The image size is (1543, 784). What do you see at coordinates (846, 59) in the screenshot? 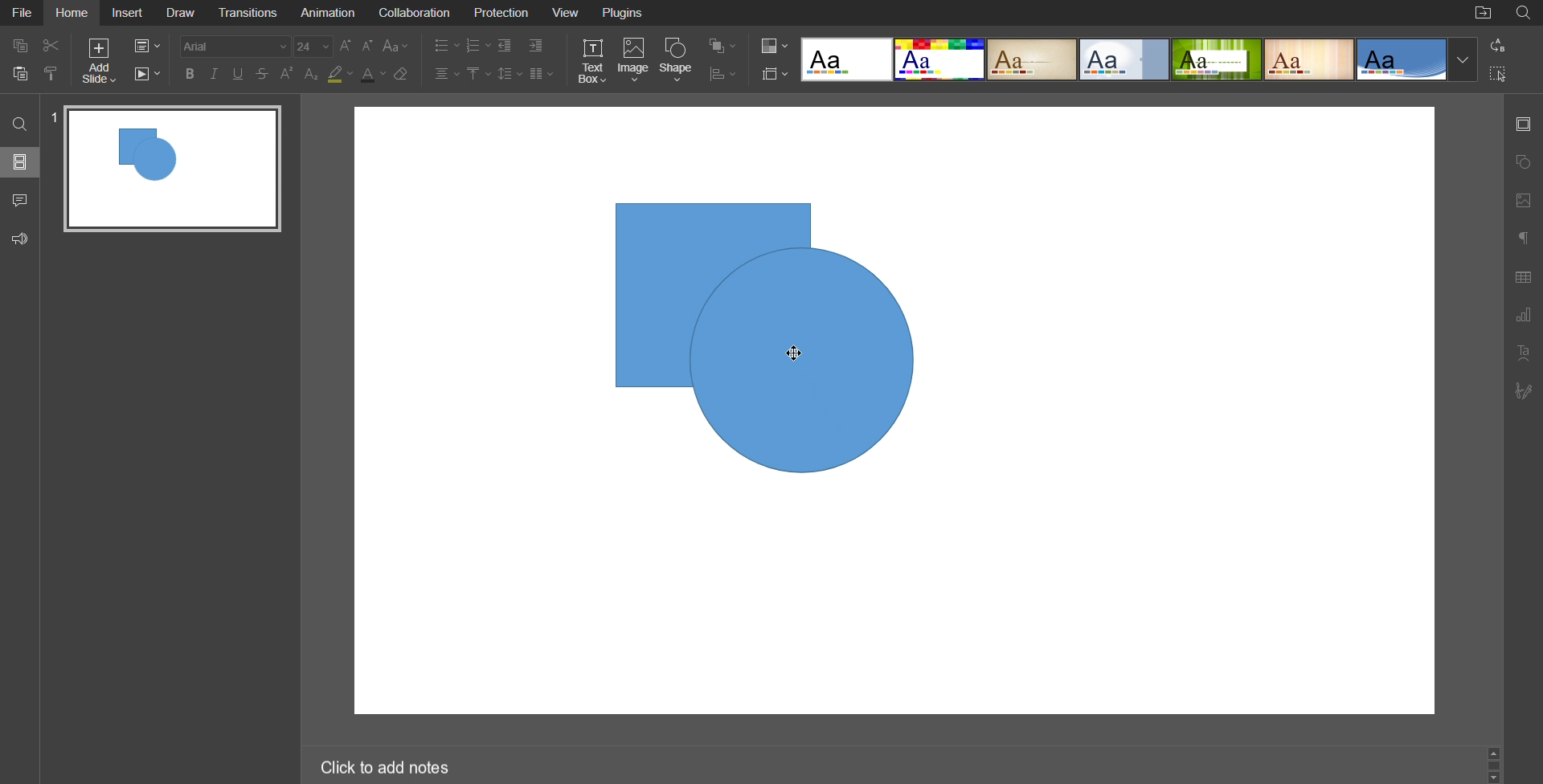
I see `Blank` at bounding box center [846, 59].